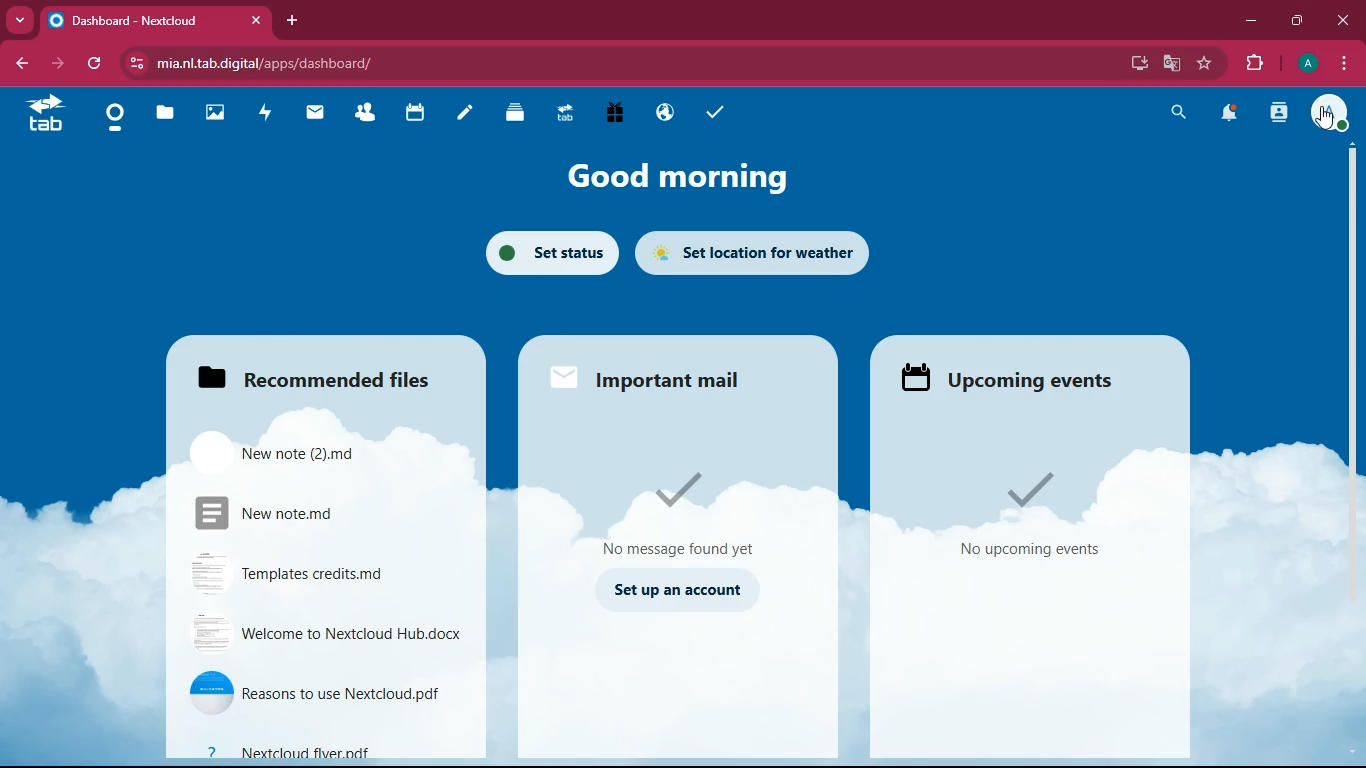  I want to click on maximize, so click(1298, 22).